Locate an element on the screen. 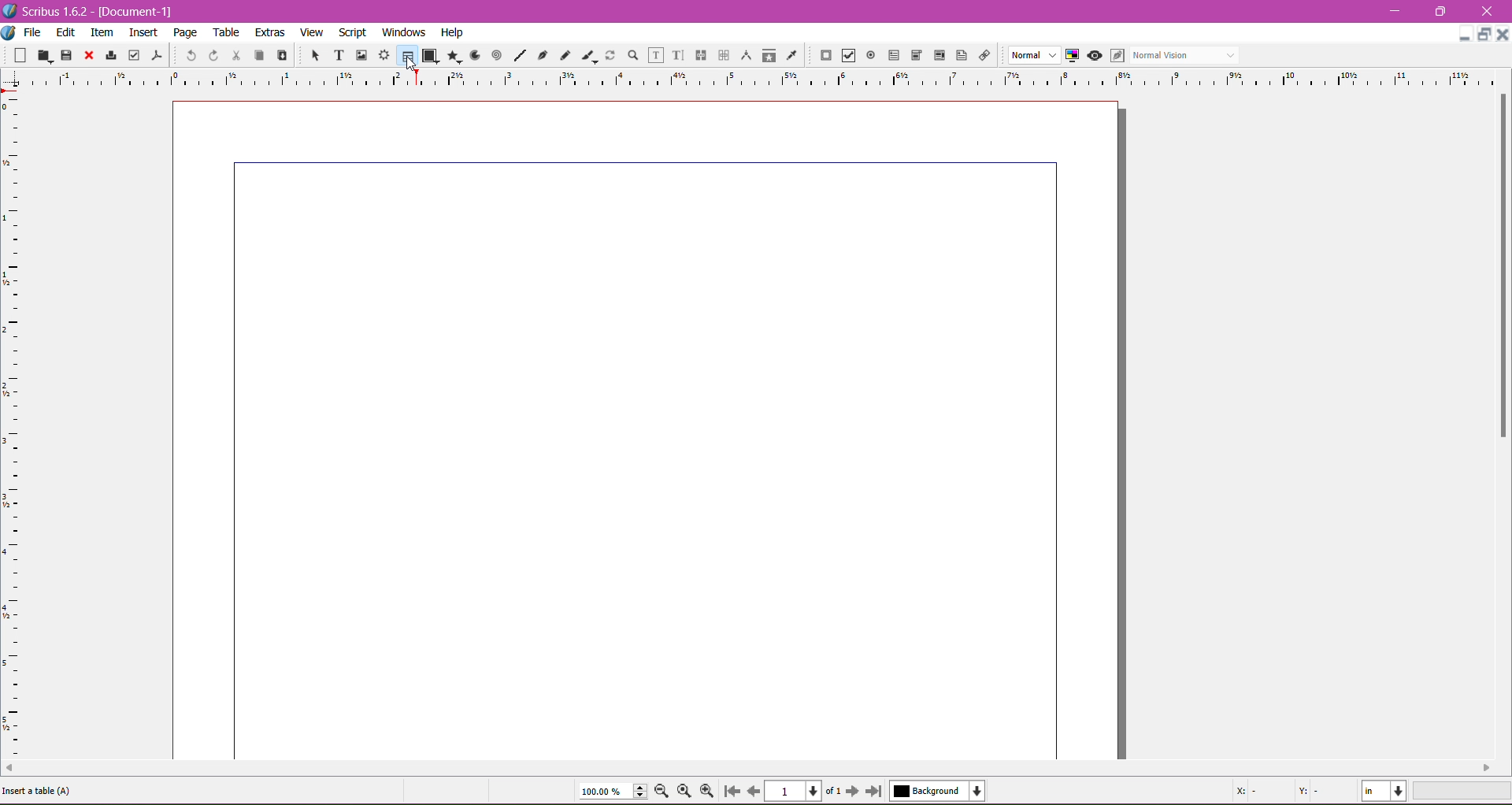 This screenshot has height=805, width=1512. Eye Dropper is located at coordinates (791, 55).